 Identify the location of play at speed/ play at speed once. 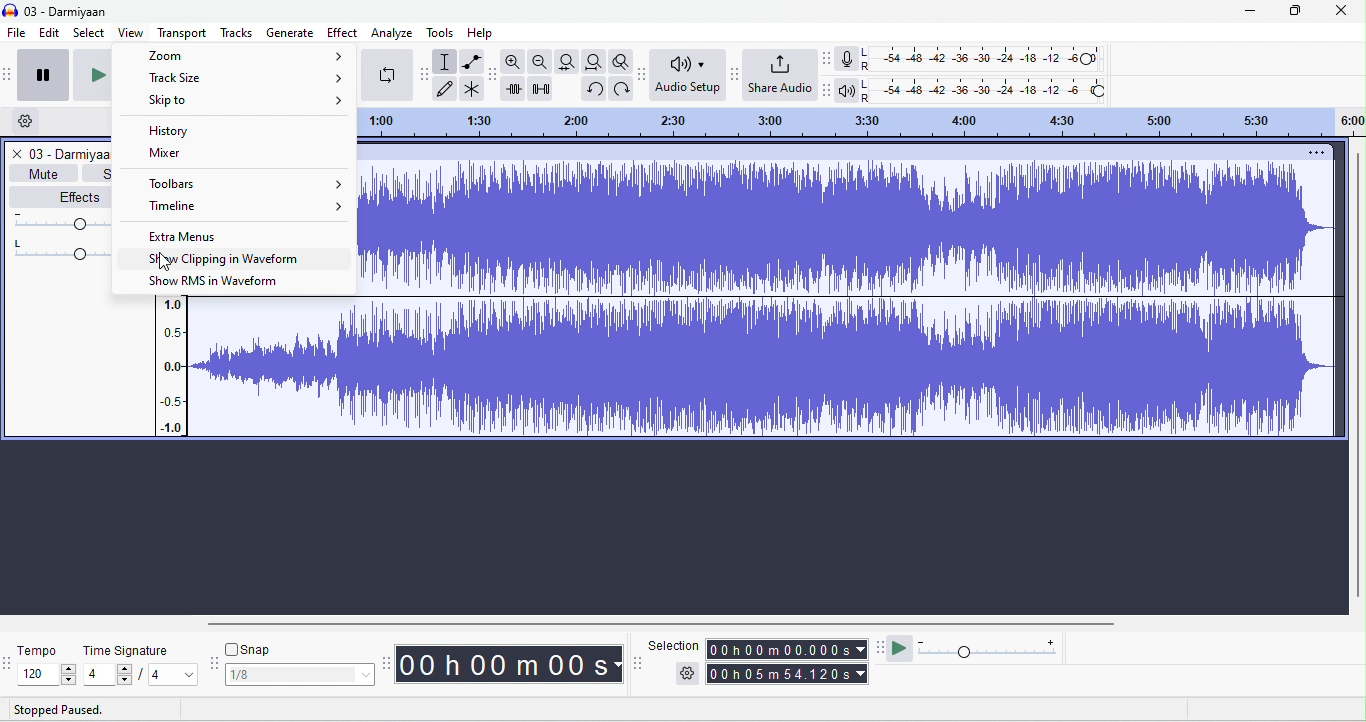
(901, 648).